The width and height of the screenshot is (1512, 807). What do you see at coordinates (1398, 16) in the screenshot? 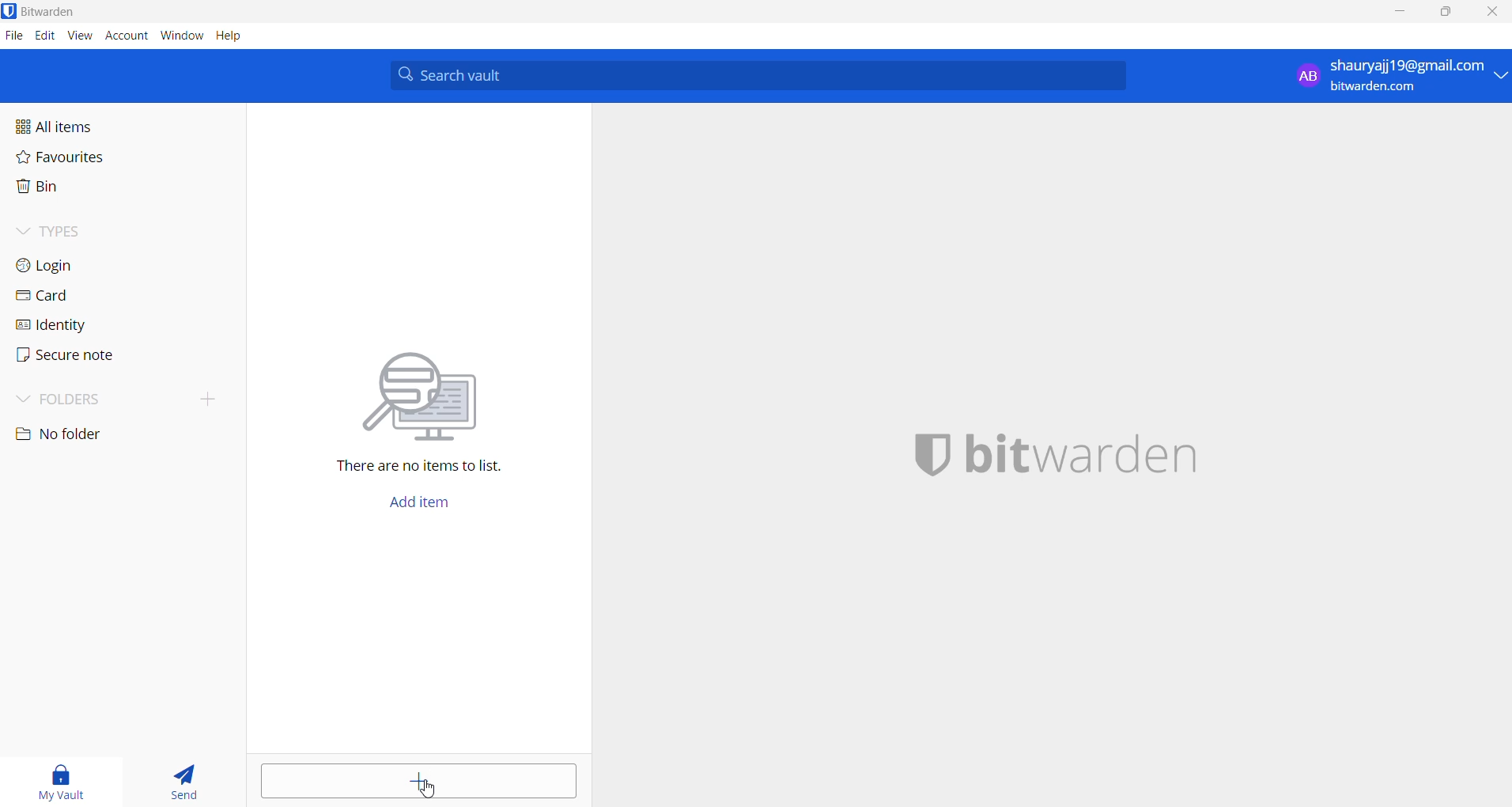
I see `minimize` at bounding box center [1398, 16].